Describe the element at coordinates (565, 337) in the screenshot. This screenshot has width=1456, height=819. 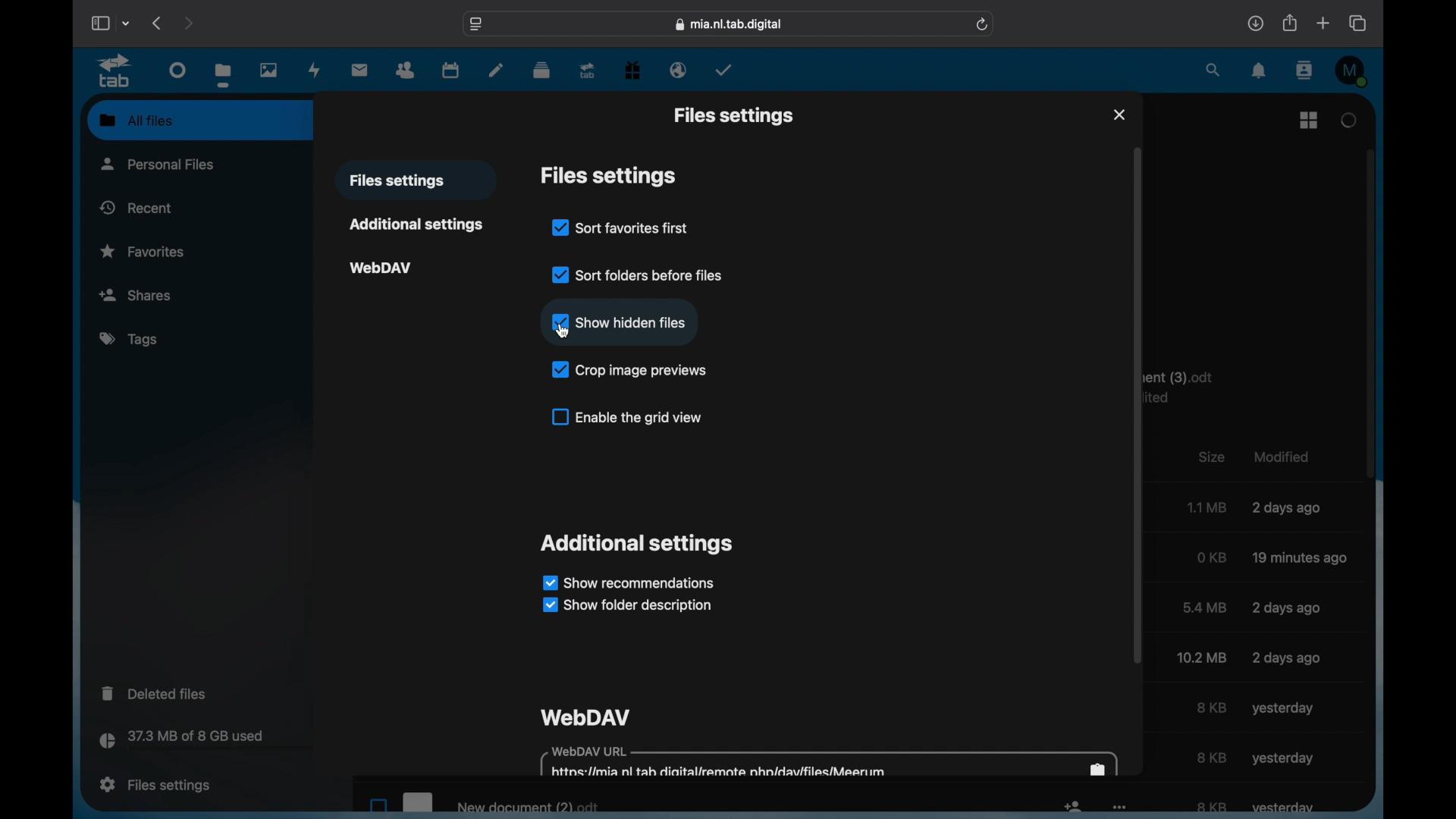
I see `cursor` at that location.